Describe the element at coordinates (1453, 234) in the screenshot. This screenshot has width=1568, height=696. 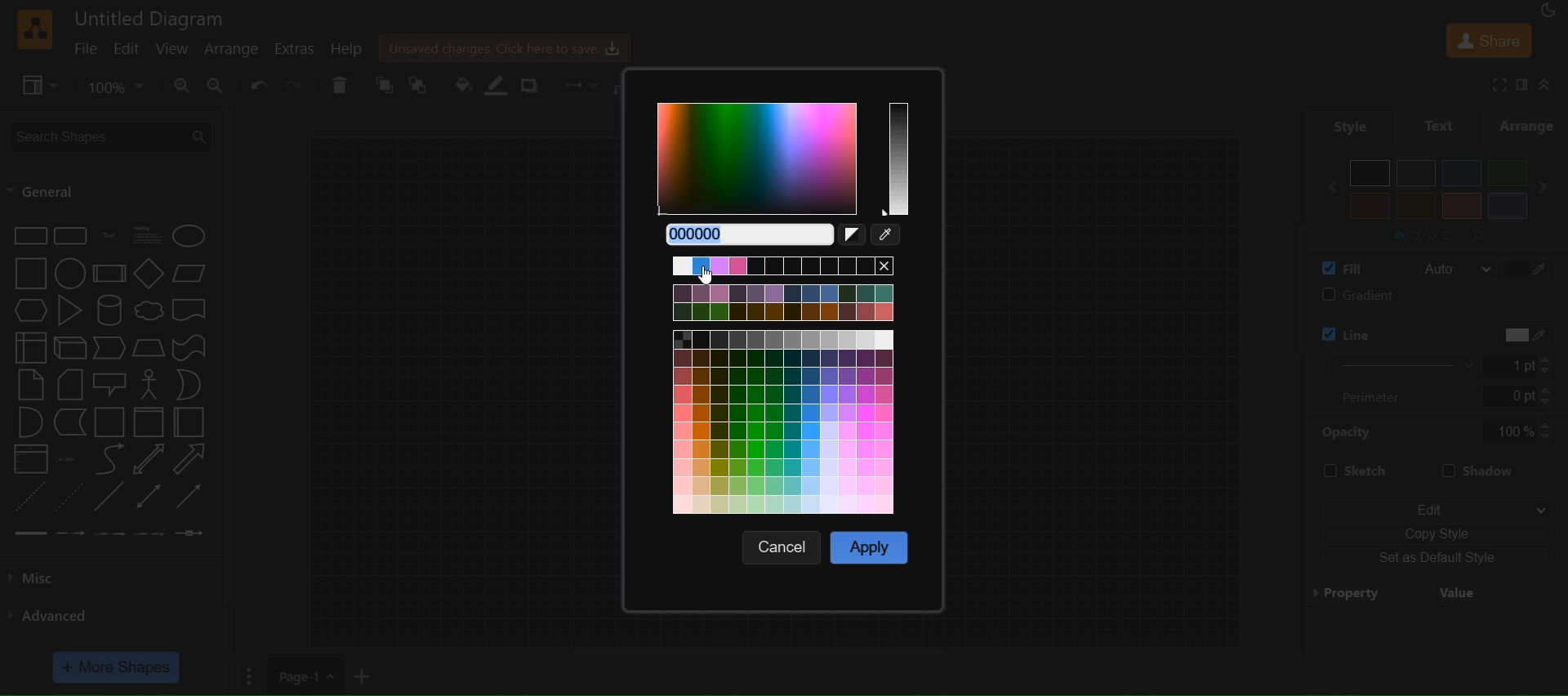
I see `sections` at that location.